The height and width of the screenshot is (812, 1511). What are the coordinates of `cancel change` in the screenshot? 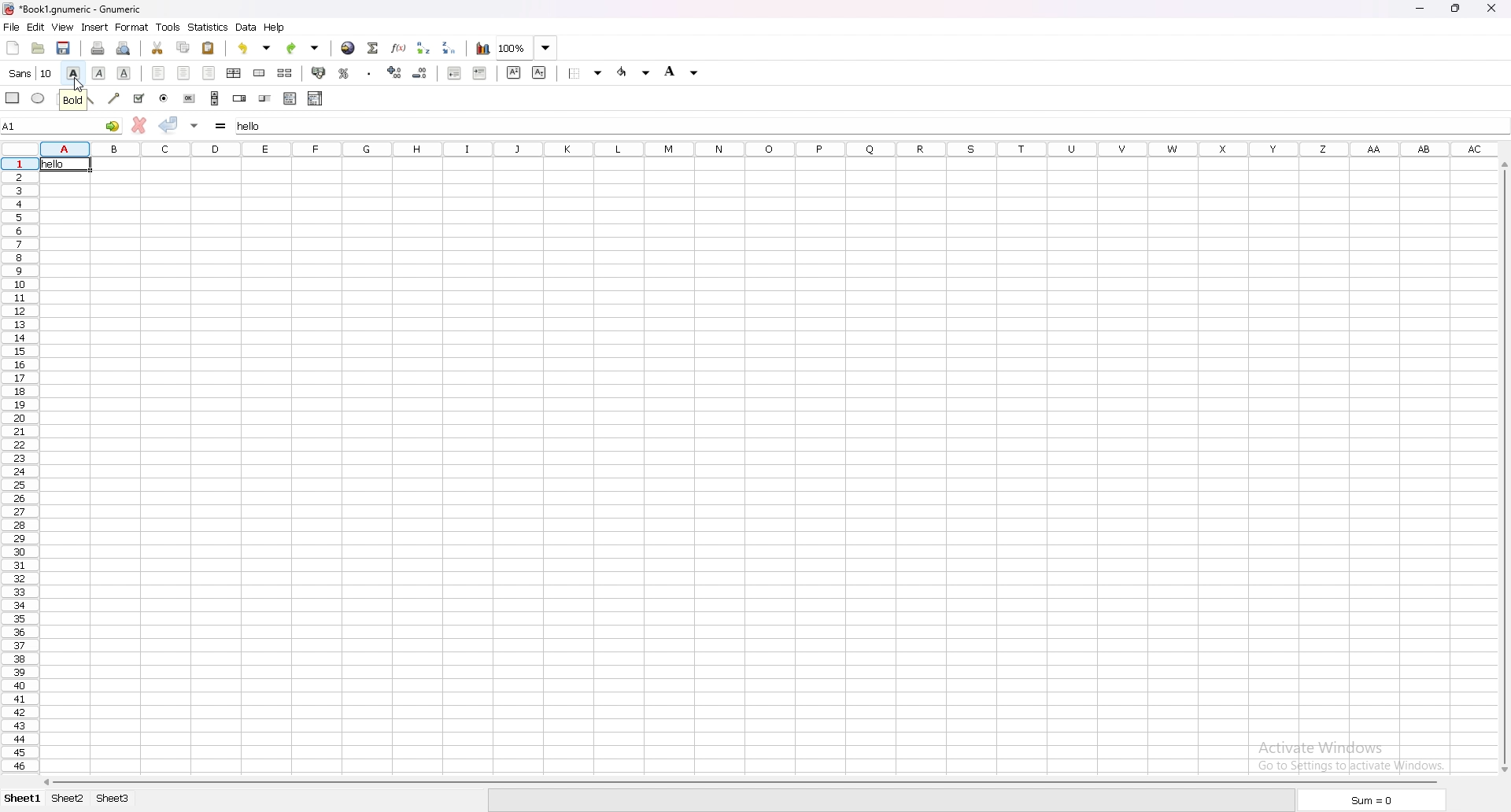 It's located at (139, 125).